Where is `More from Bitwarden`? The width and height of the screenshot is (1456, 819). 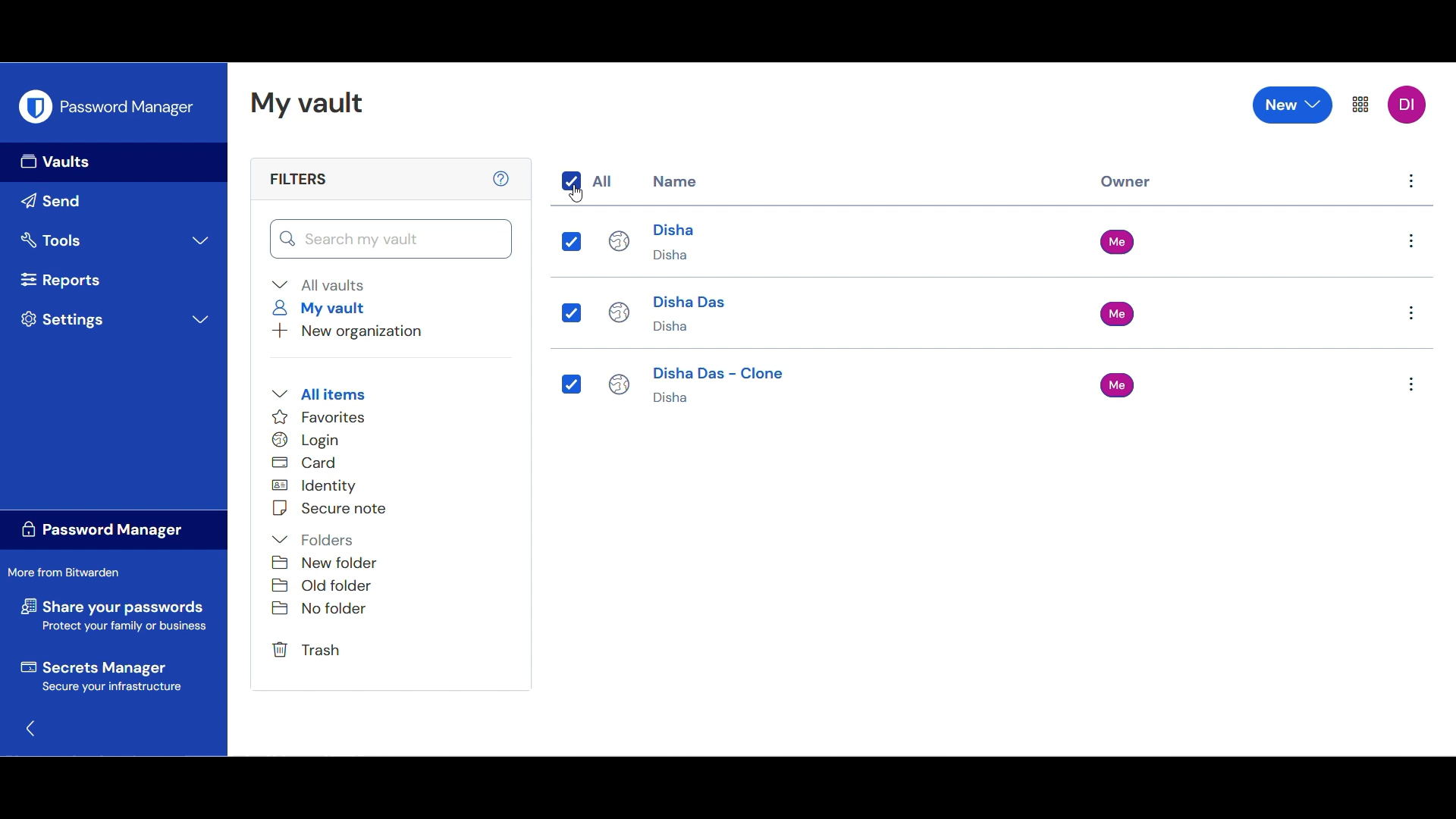 More from Bitwarden is located at coordinates (69, 573).